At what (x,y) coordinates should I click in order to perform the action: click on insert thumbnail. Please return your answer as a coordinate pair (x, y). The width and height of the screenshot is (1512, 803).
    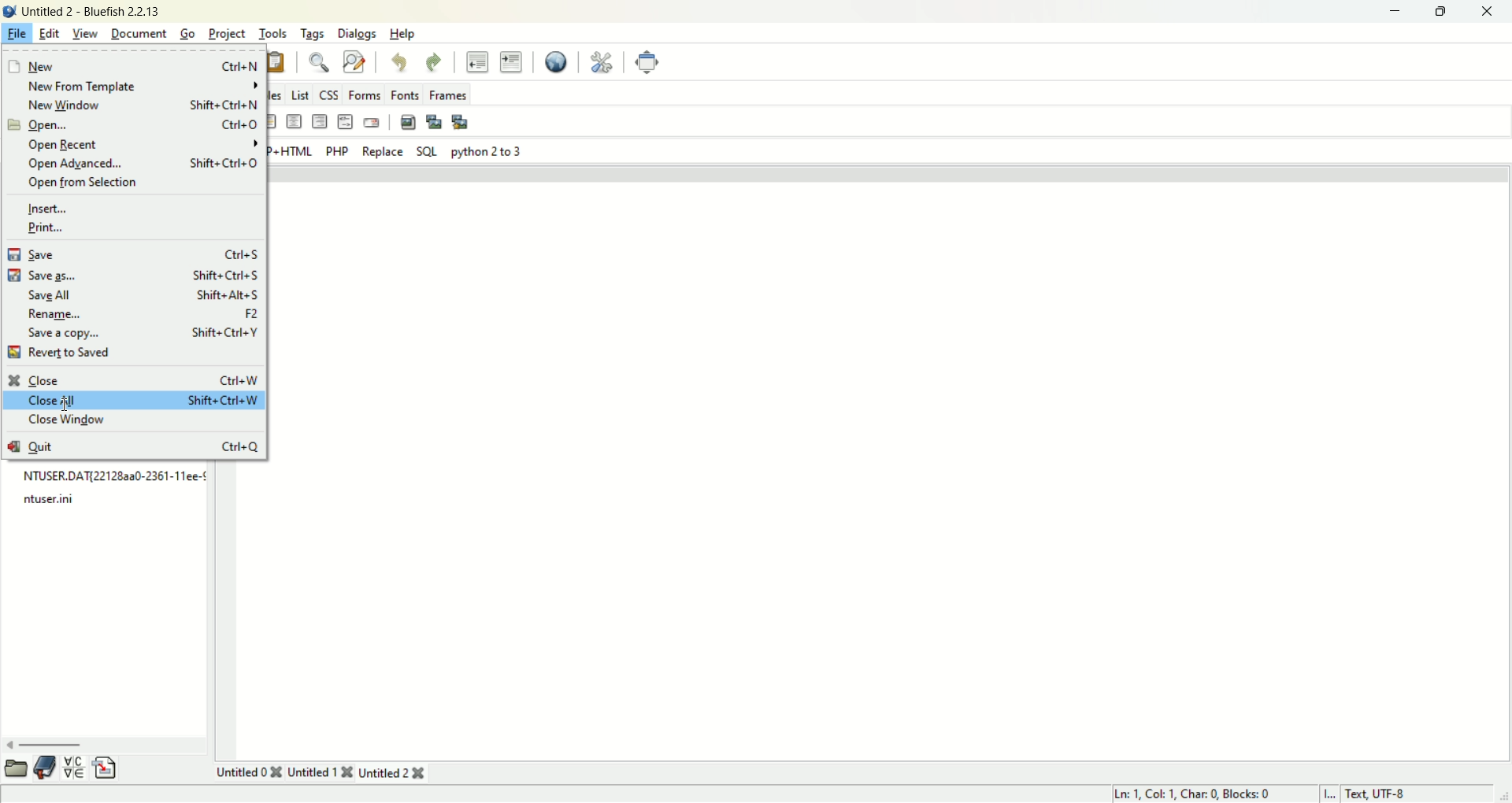
    Looking at the image, I should click on (432, 121).